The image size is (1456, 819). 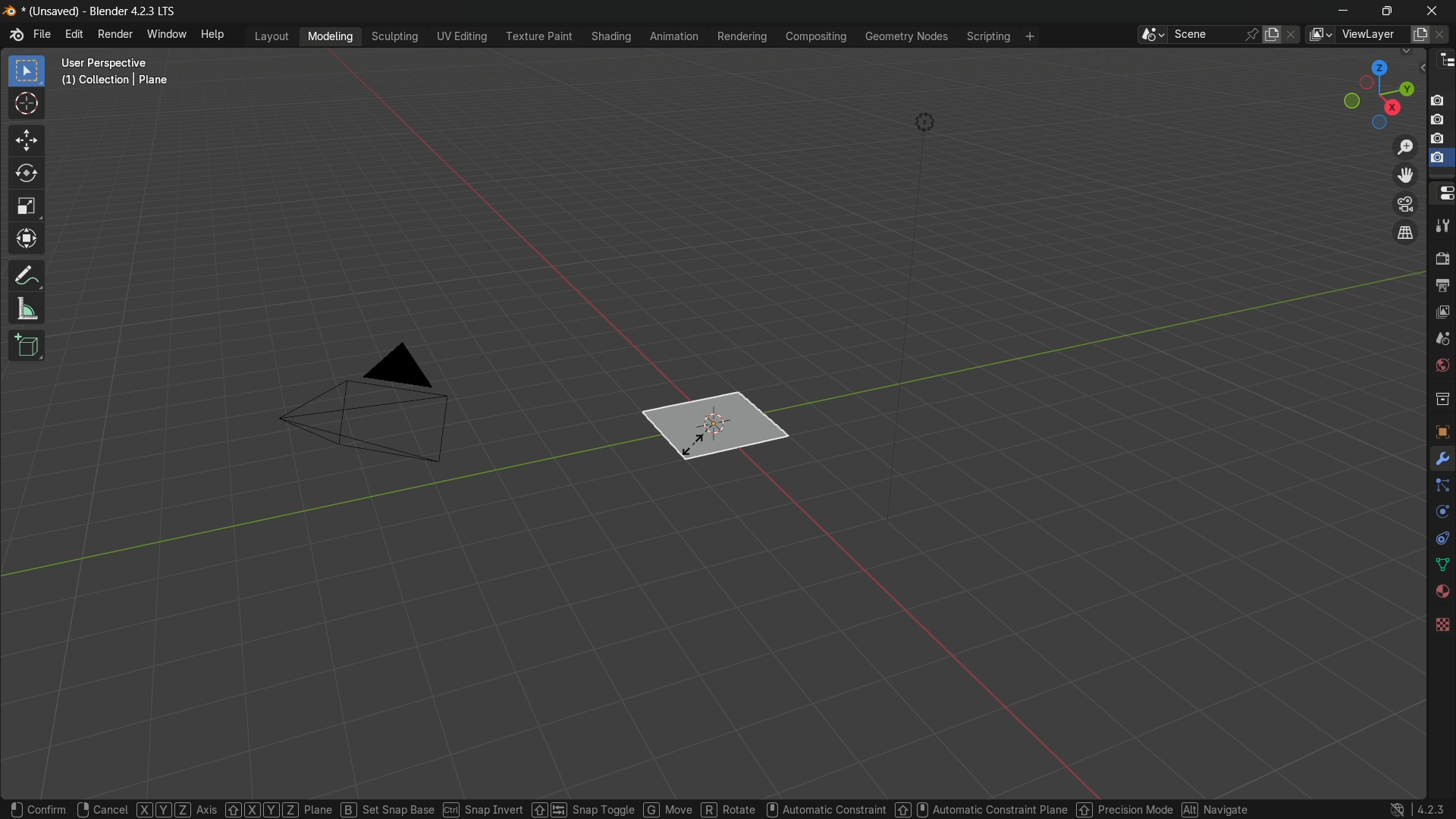 What do you see at coordinates (1142, 33) in the screenshot?
I see `browse scenes` at bounding box center [1142, 33].